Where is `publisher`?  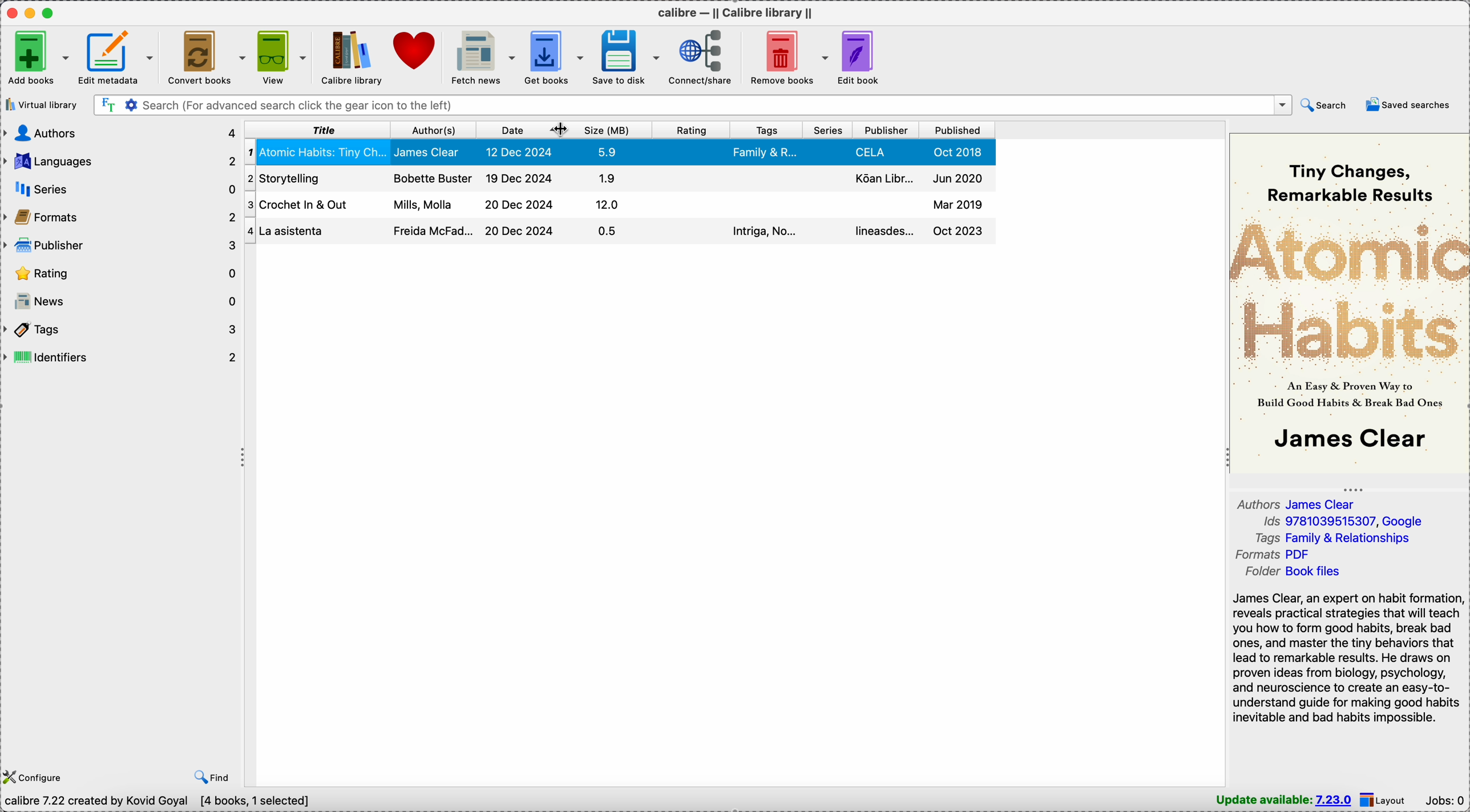 publisher is located at coordinates (122, 246).